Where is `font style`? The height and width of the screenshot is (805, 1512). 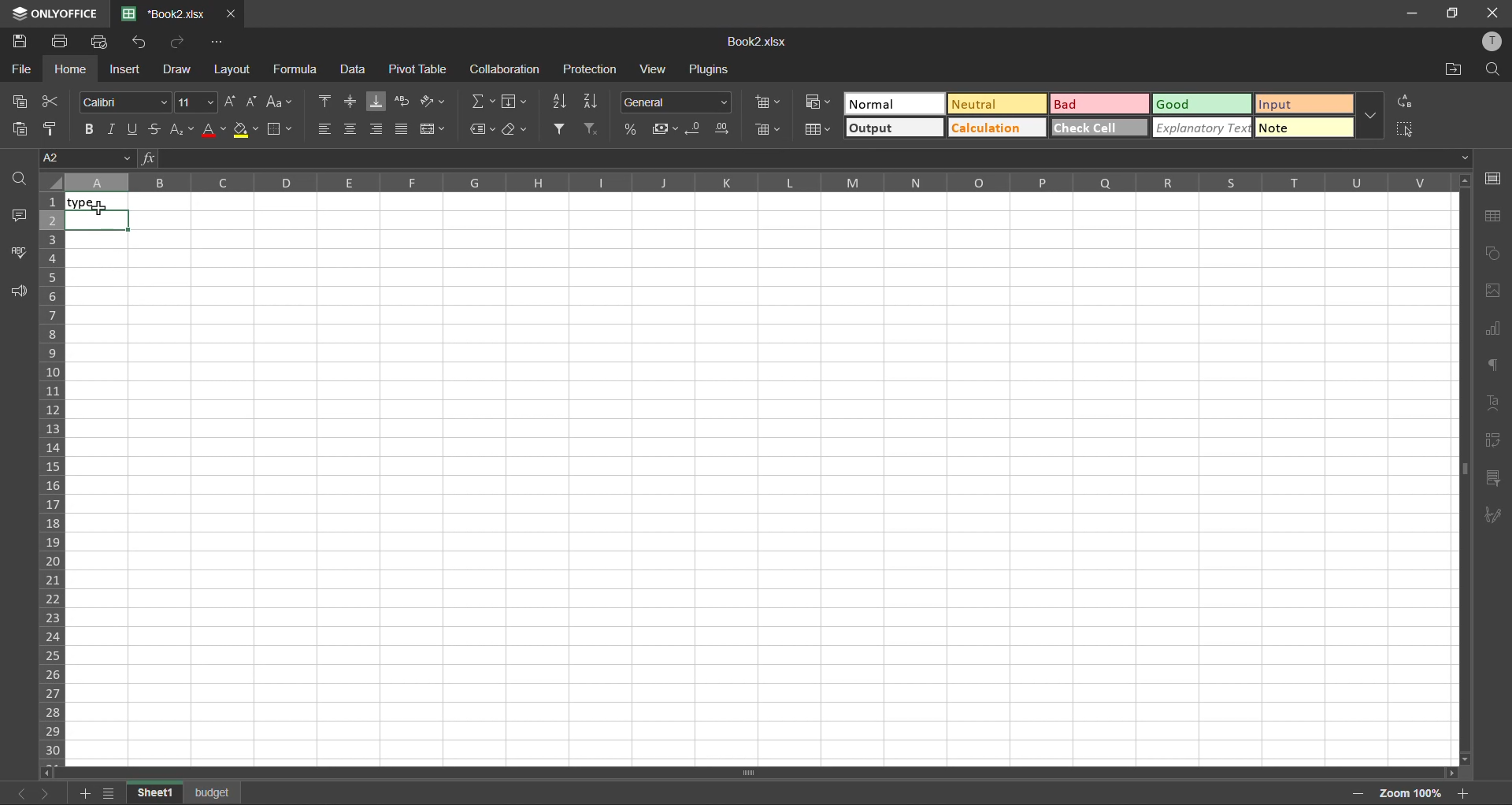
font style is located at coordinates (122, 103).